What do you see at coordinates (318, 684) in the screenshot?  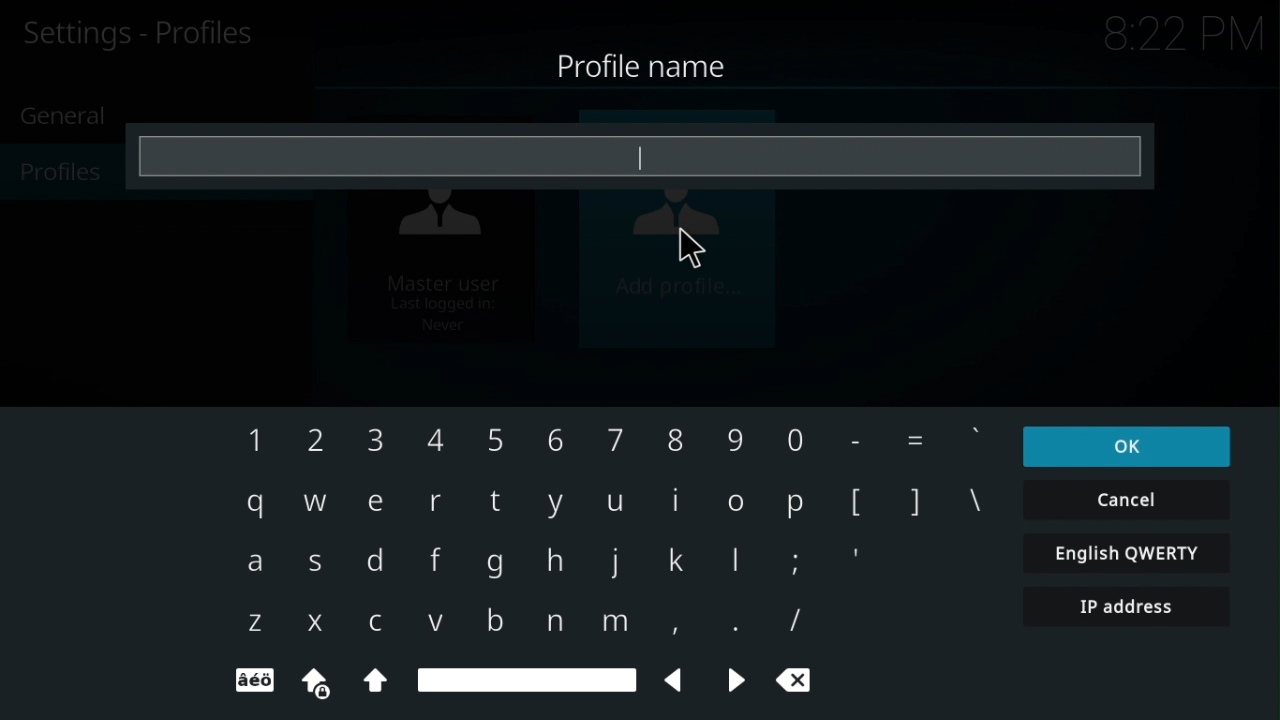 I see `lock` at bounding box center [318, 684].